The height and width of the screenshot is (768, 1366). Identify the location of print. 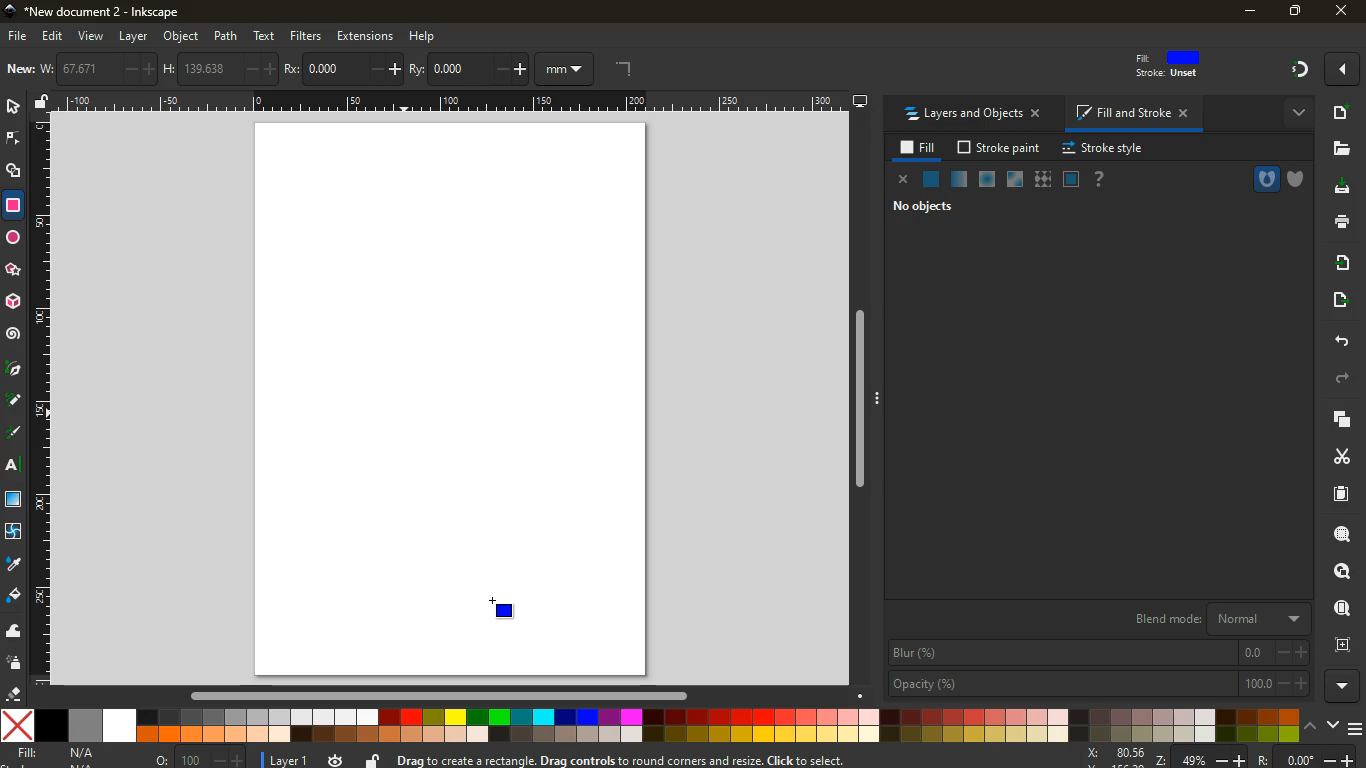
(1340, 222).